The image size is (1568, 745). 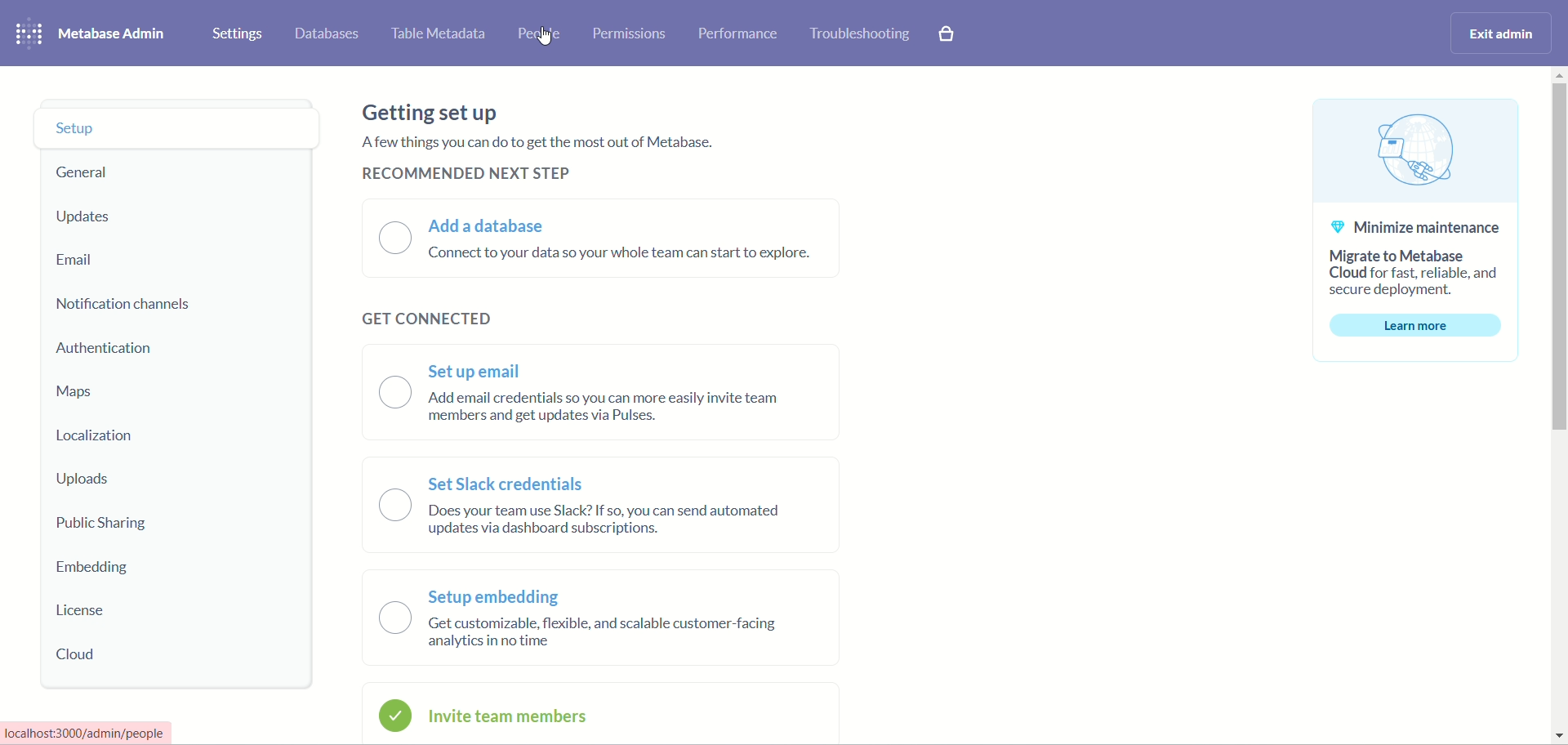 What do you see at coordinates (85, 218) in the screenshot?
I see `updates` at bounding box center [85, 218].